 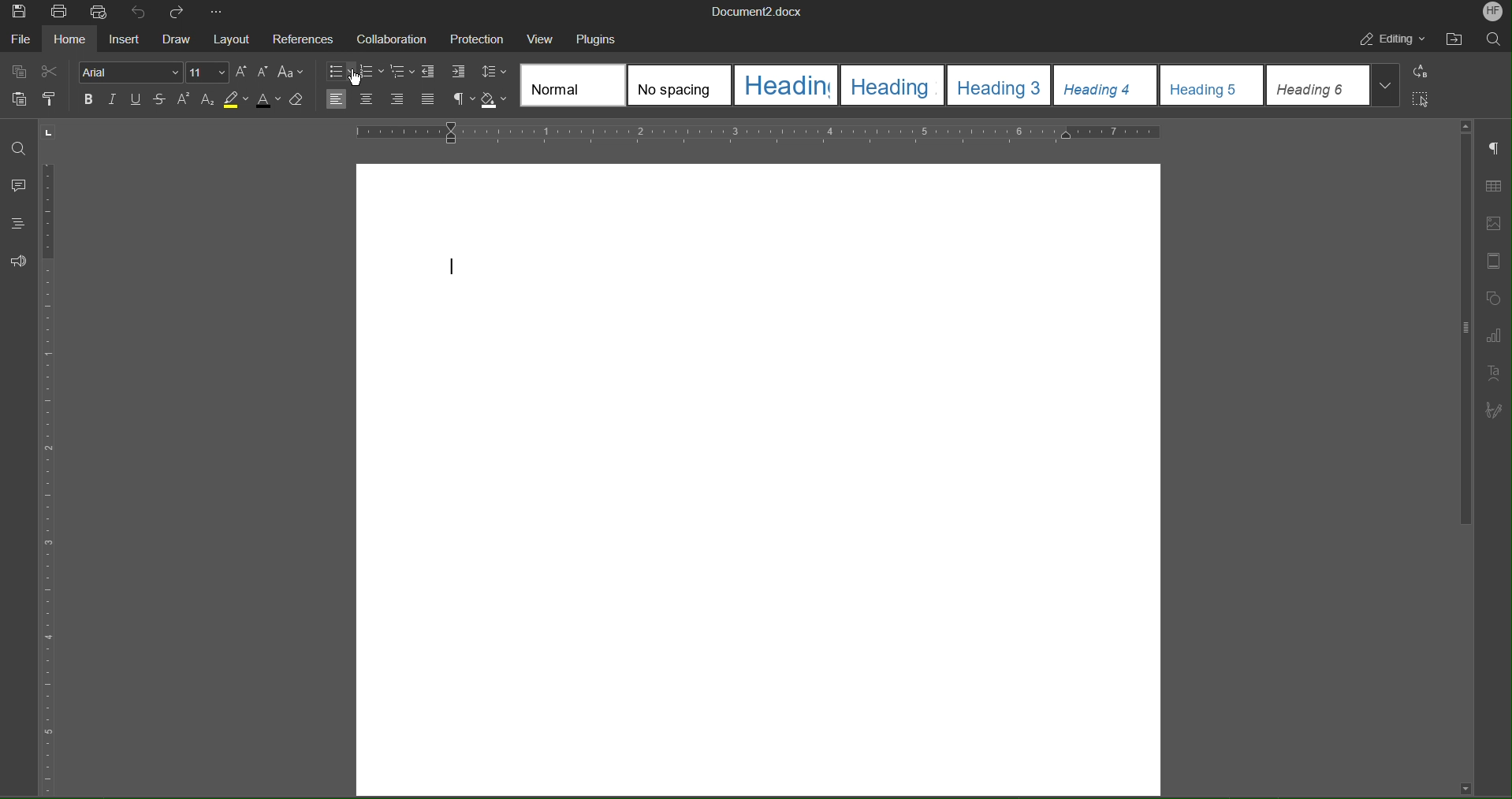 I want to click on Numbered List, so click(x=375, y=71).